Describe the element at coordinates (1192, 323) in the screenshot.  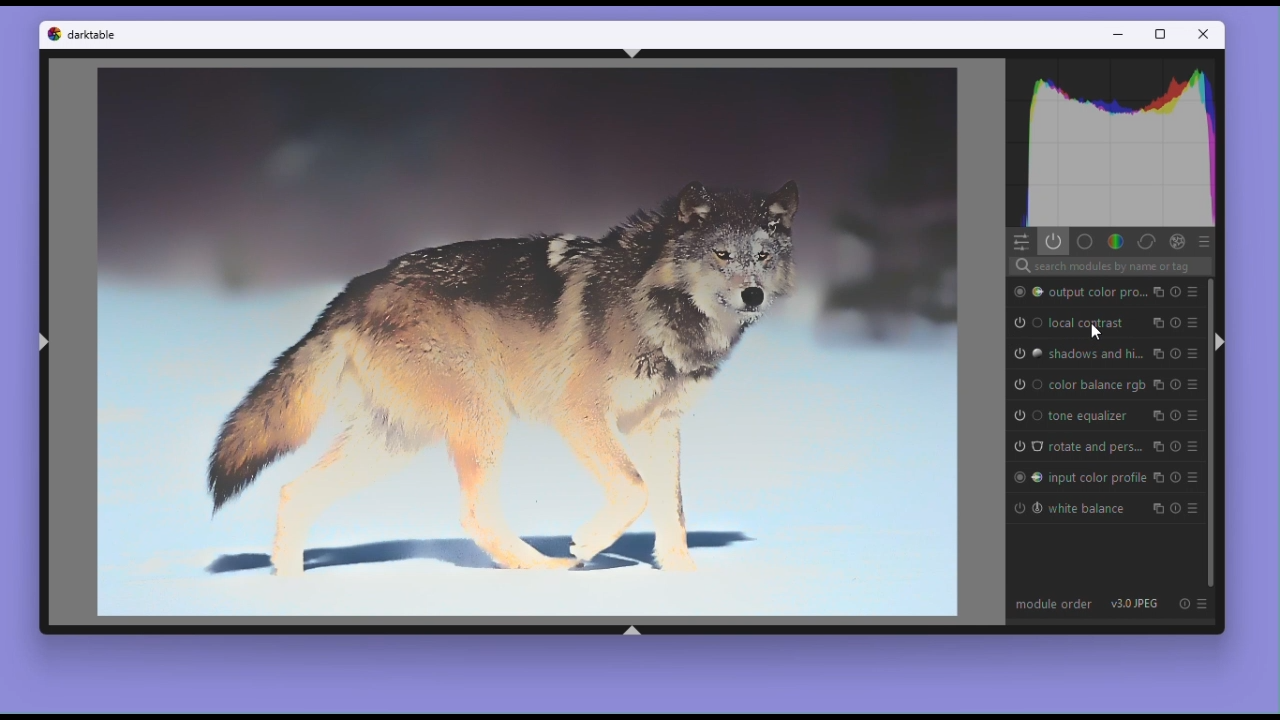
I see `presets` at that location.